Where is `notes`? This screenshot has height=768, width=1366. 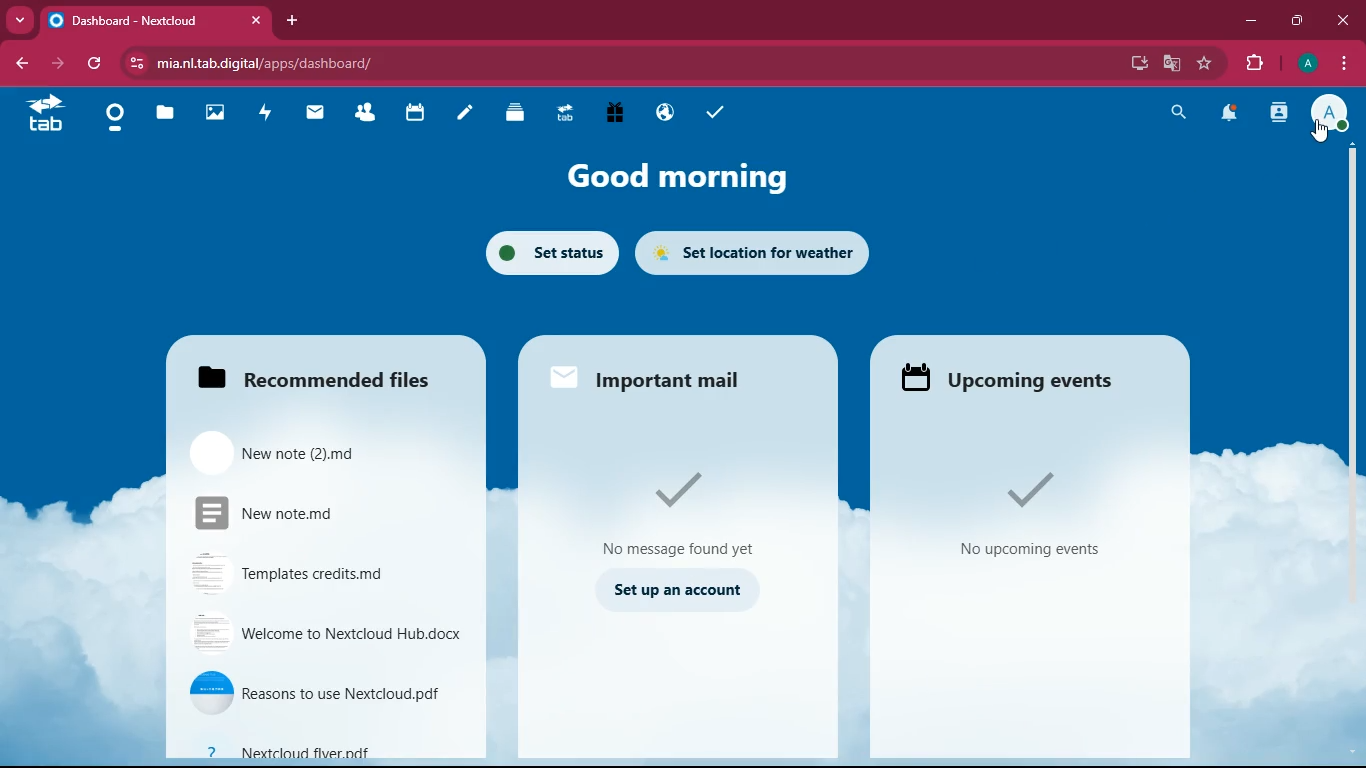
notes is located at coordinates (461, 115).